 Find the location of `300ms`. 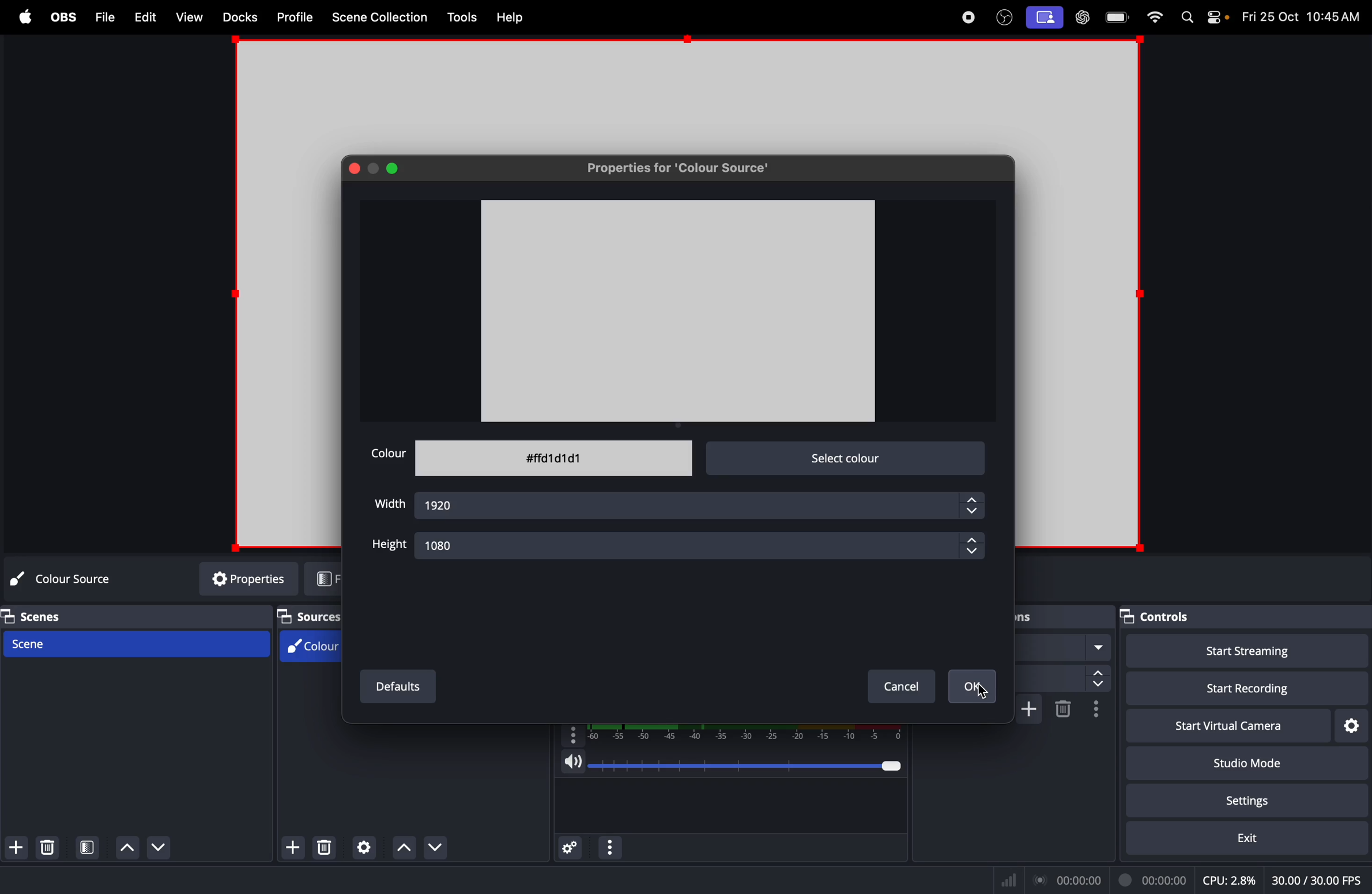

300ms is located at coordinates (1062, 678).